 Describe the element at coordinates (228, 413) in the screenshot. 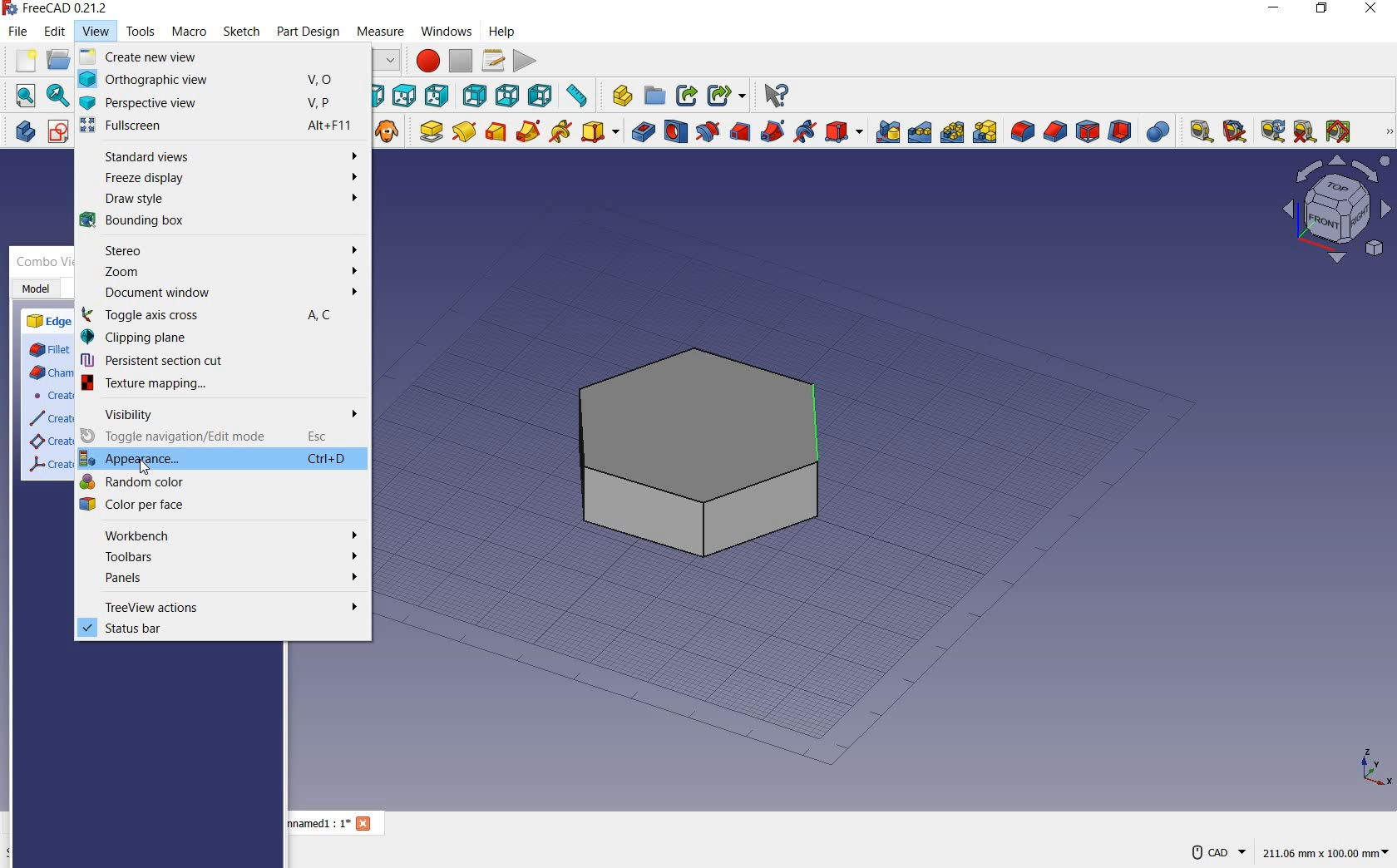

I see `visibility` at that location.